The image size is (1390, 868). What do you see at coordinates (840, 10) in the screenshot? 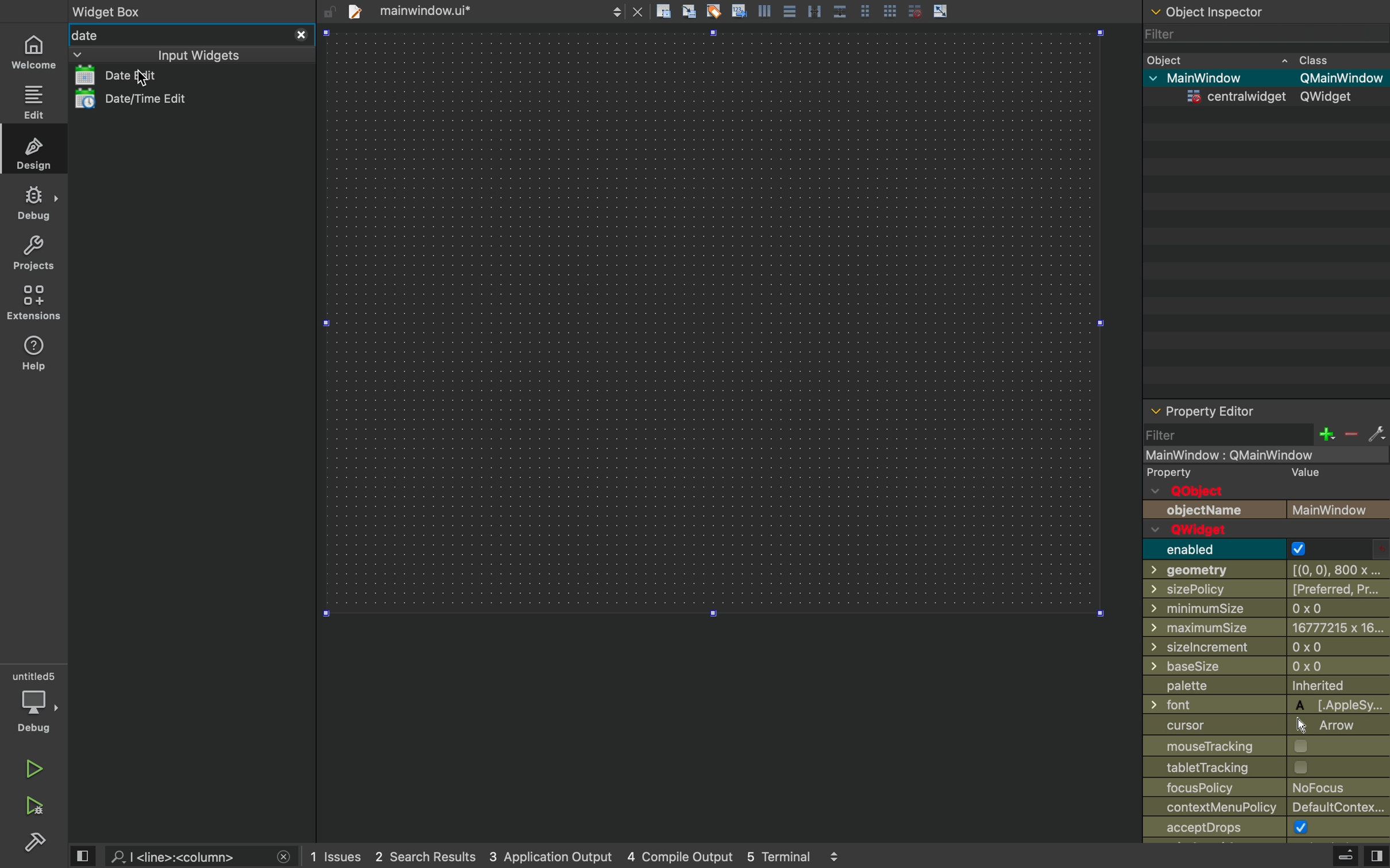
I see `distribute vertically` at bounding box center [840, 10].